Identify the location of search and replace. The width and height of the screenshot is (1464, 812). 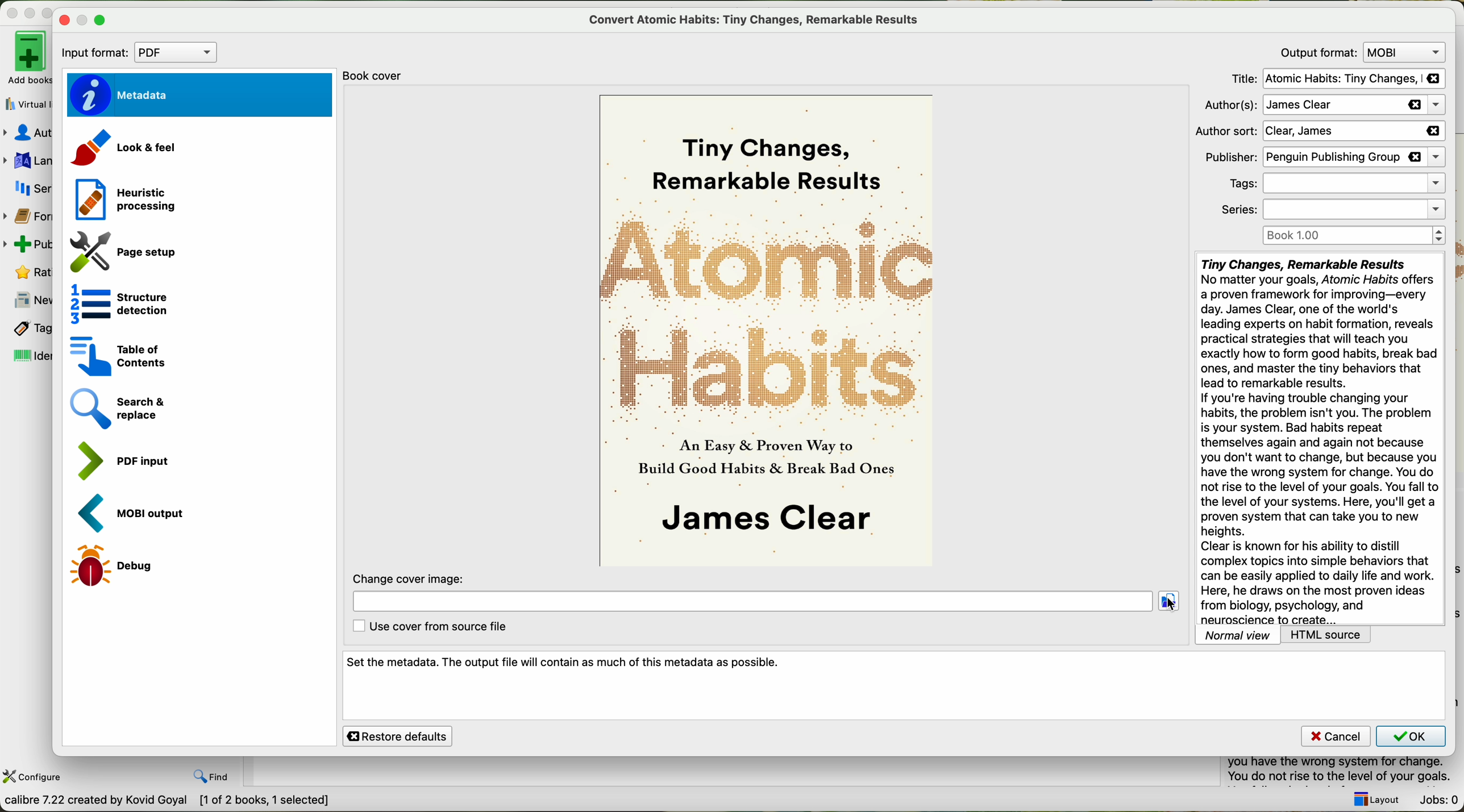
(120, 408).